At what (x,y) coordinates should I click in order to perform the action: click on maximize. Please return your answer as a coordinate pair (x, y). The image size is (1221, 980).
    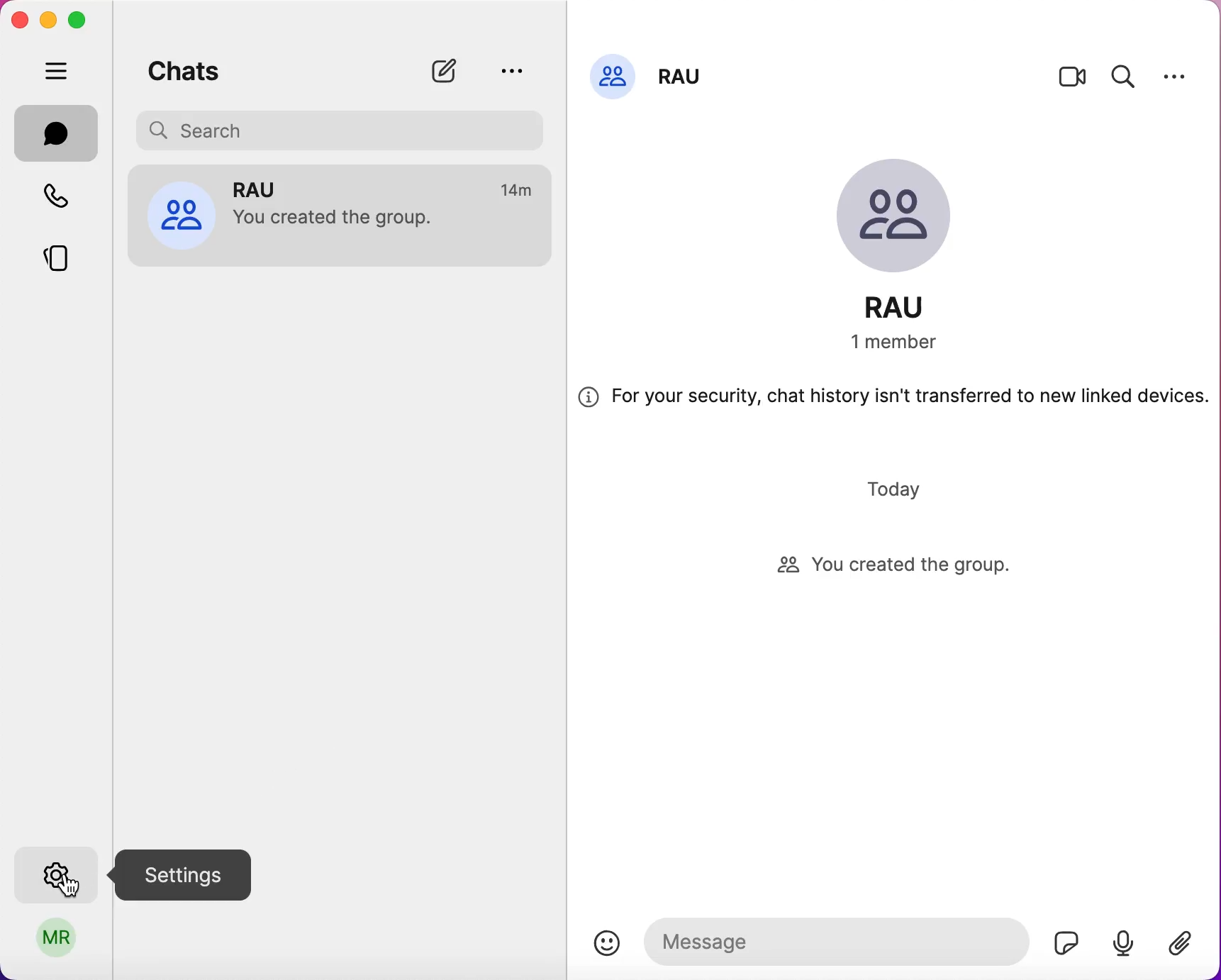
    Looking at the image, I should click on (84, 21).